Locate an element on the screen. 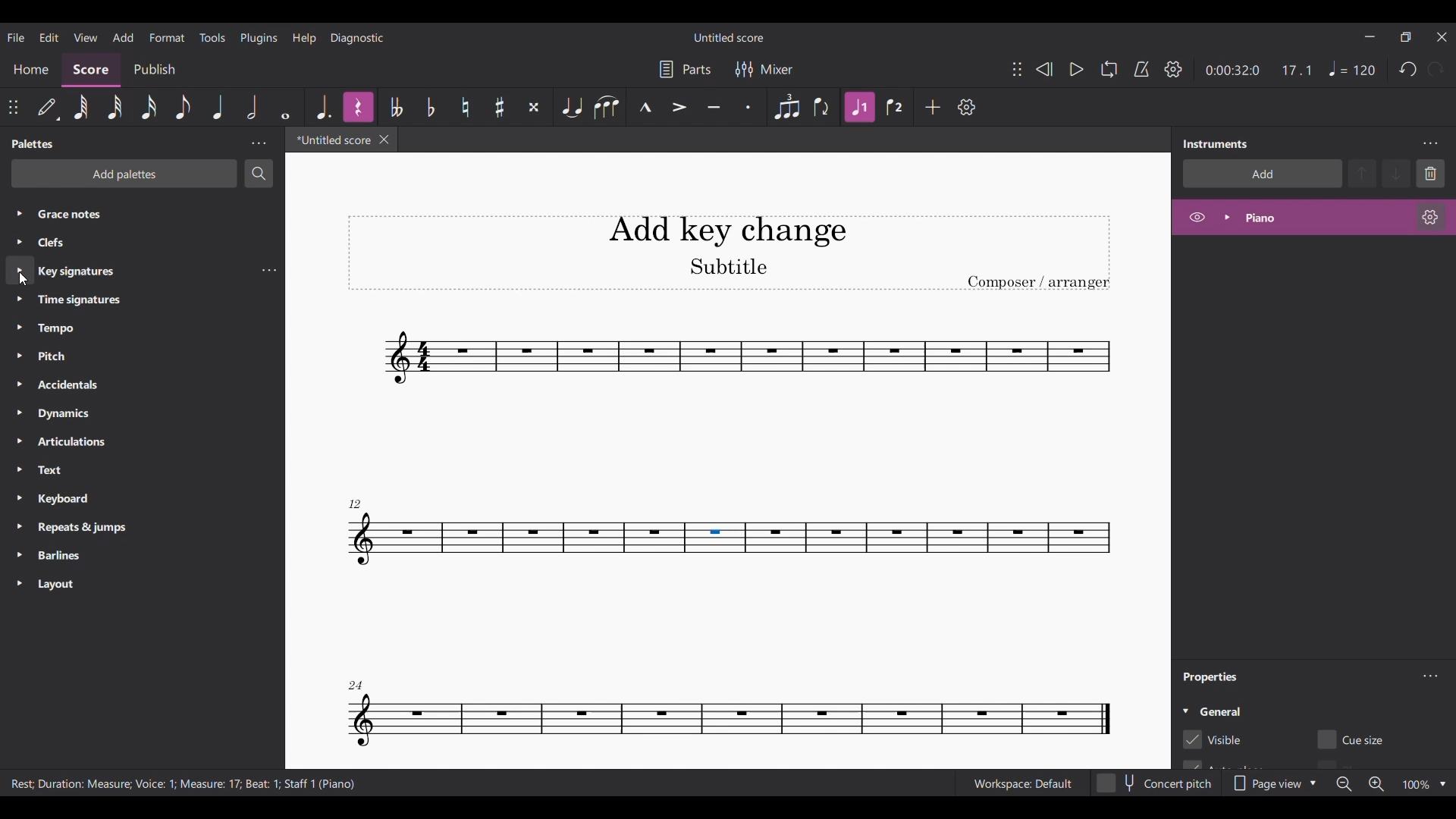 This screenshot has width=1456, height=819. Current zoom factor is located at coordinates (1416, 785).